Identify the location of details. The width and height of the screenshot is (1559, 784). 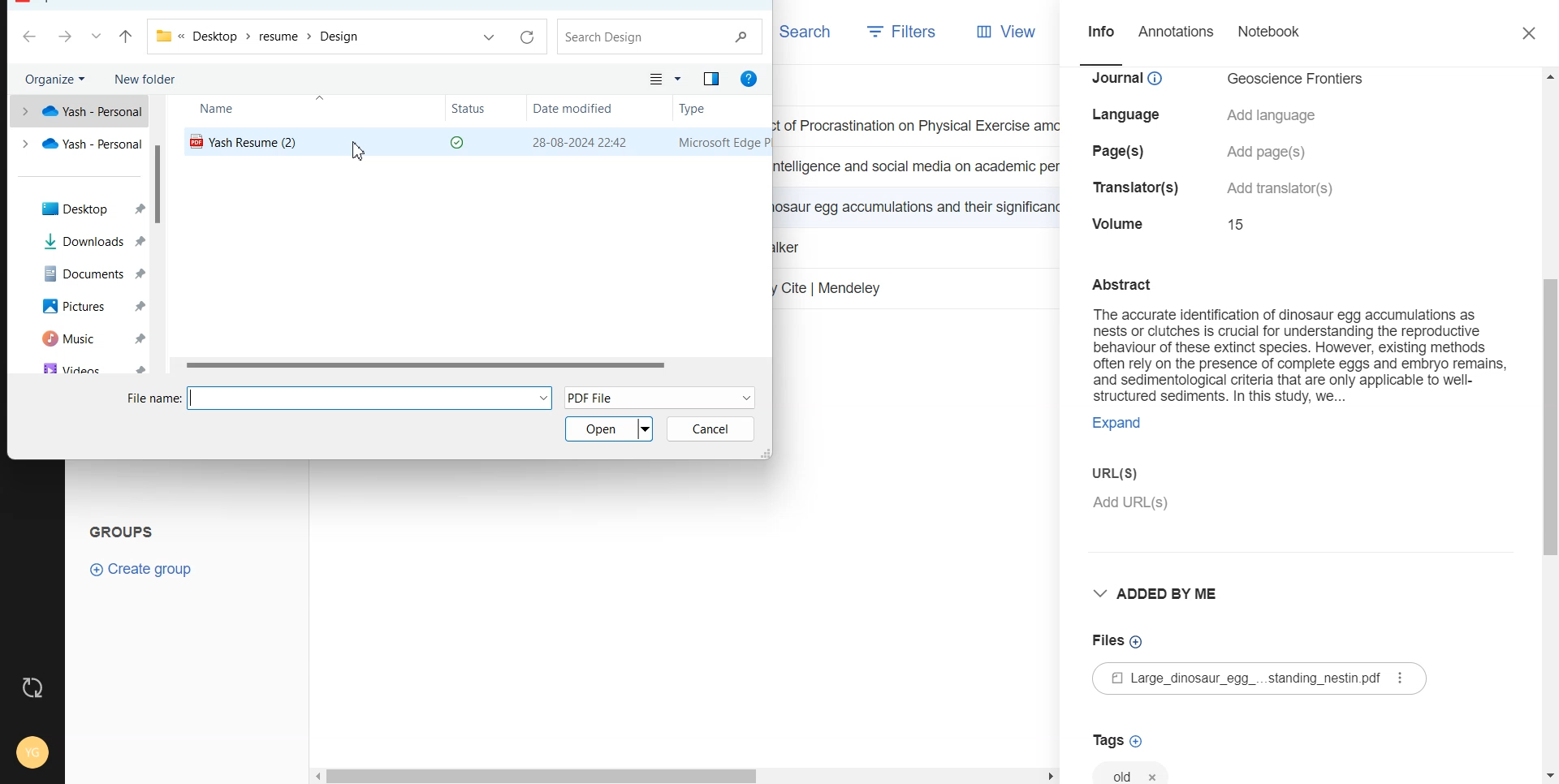
(1269, 152).